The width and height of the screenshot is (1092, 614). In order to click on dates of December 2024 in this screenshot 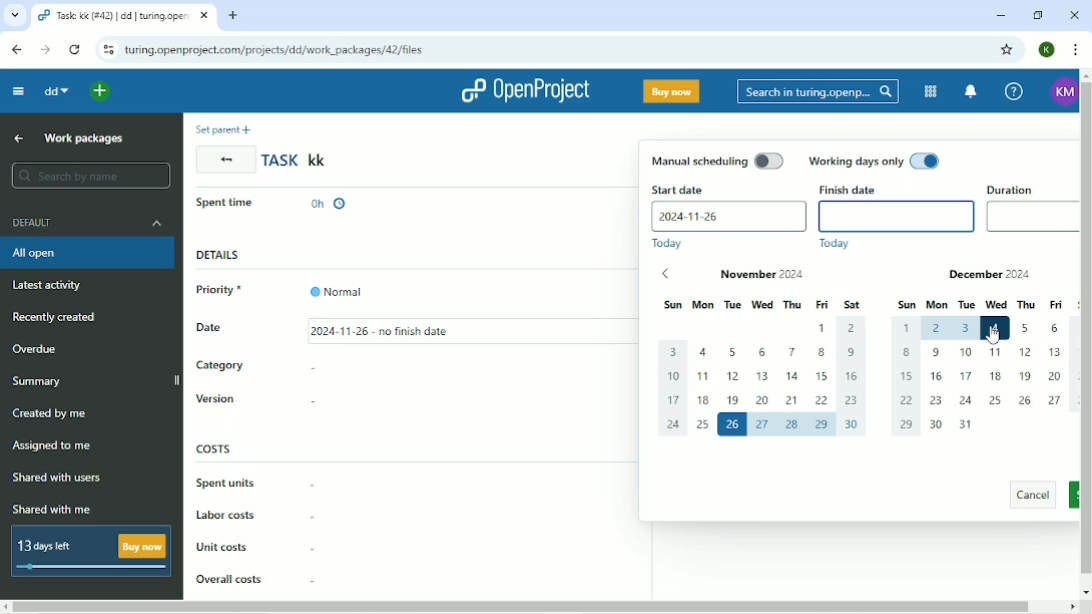, I will do `click(982, 376)`.